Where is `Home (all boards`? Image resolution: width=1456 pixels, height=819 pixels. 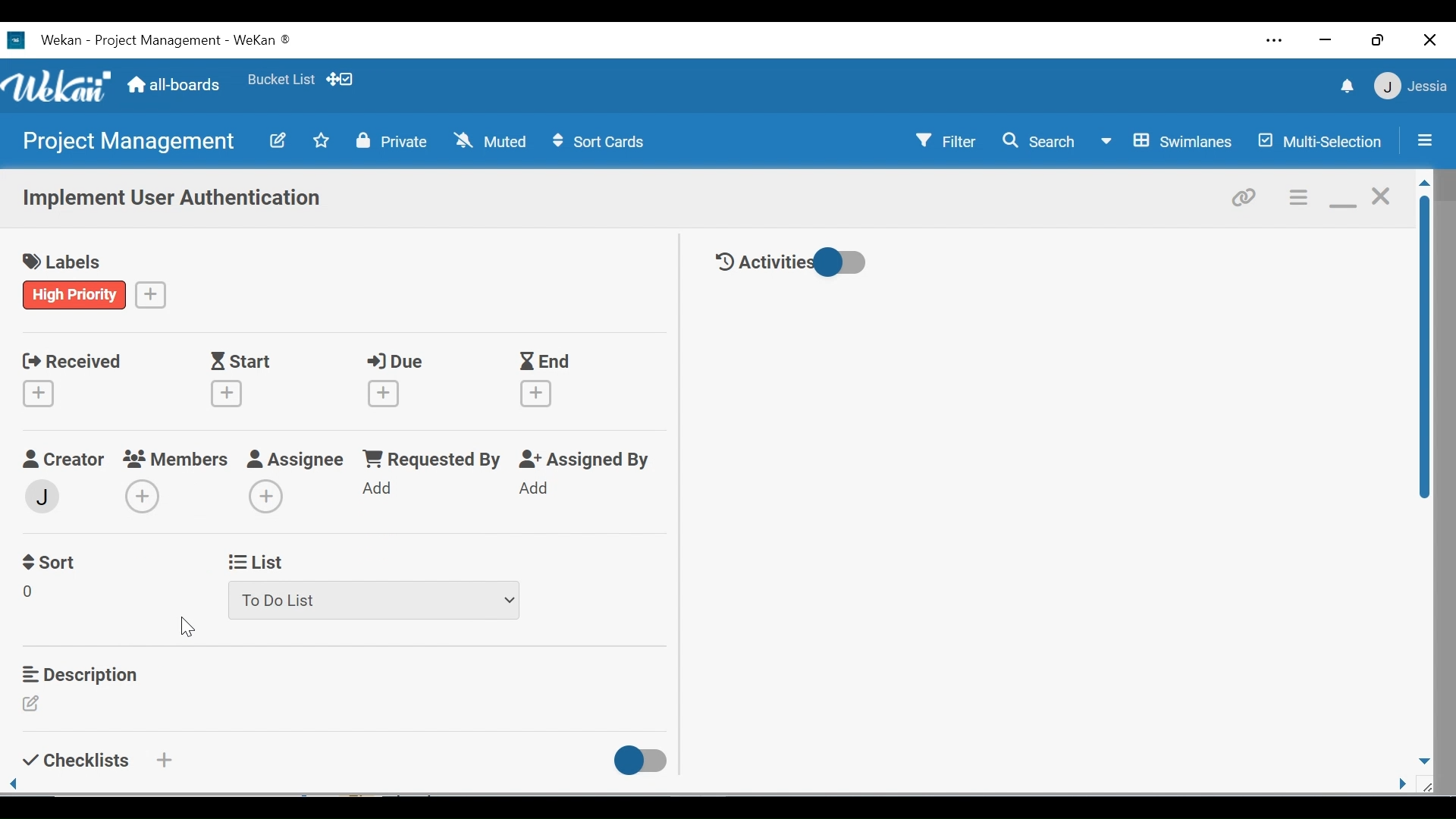 Home (all boards is located at coordinates (175, 83).